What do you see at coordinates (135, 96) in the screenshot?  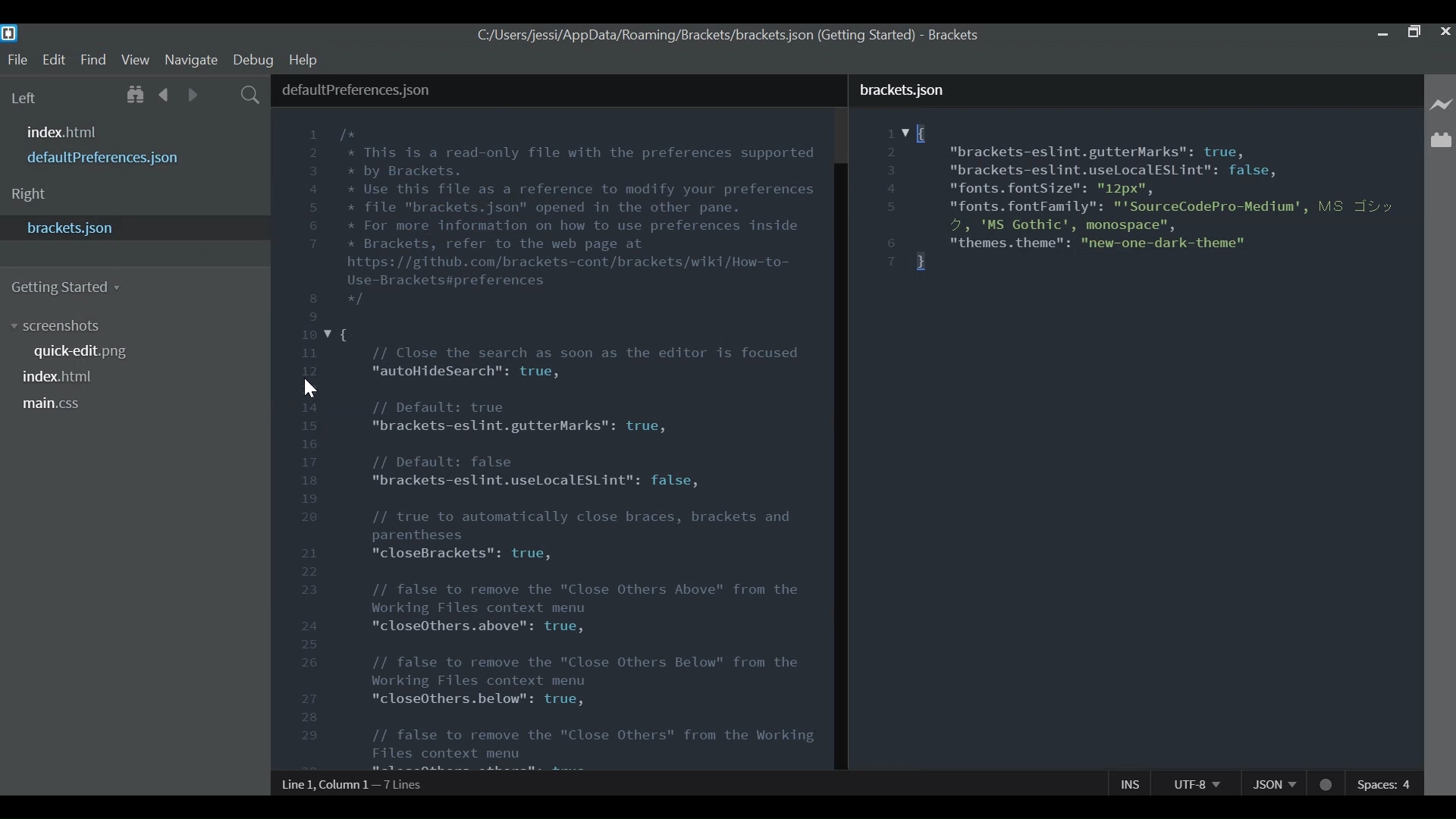 I see `Show in File tree` at bounding box center [135, 96].